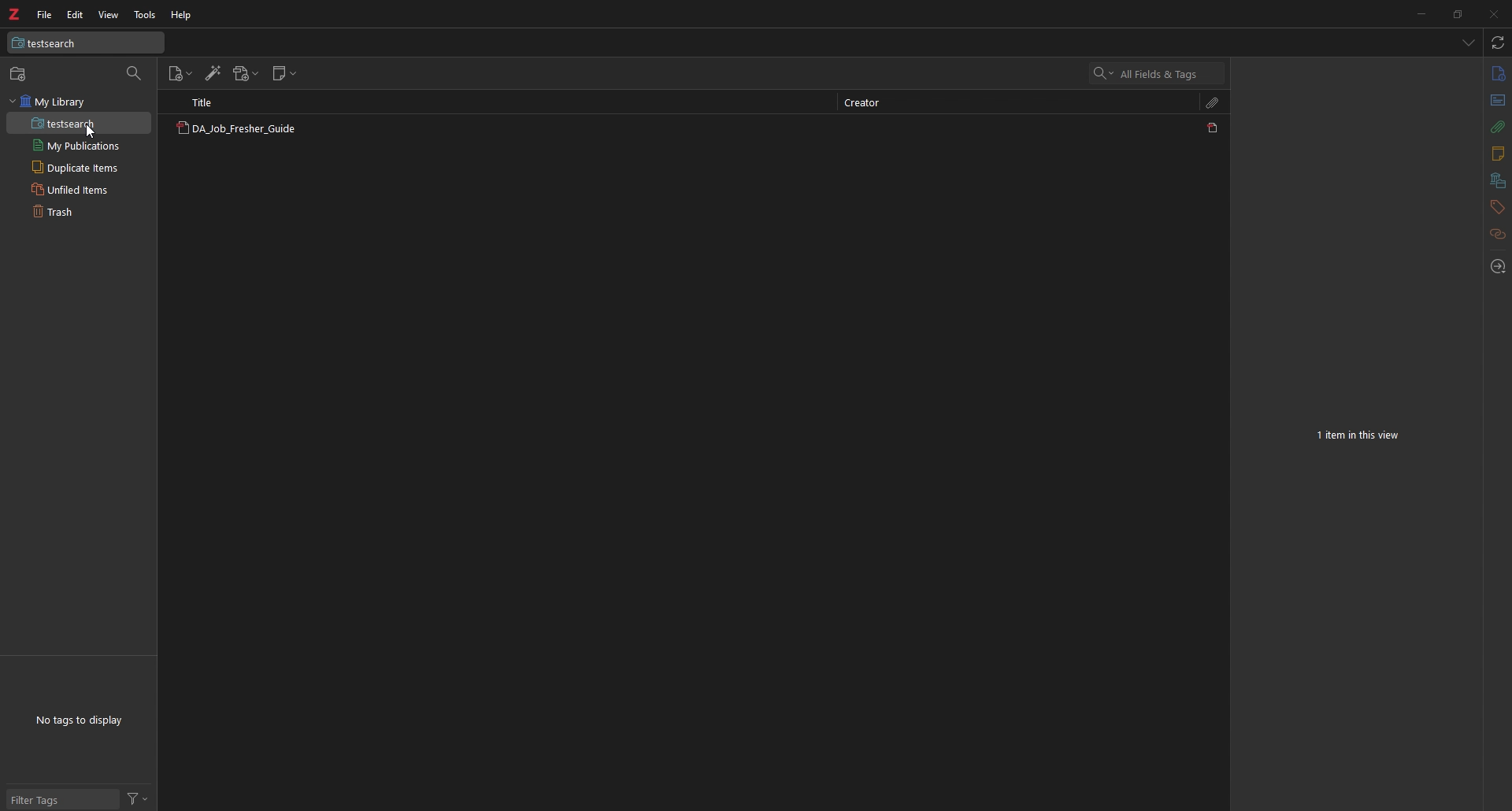  I want to click on related, so click(1499, 235).